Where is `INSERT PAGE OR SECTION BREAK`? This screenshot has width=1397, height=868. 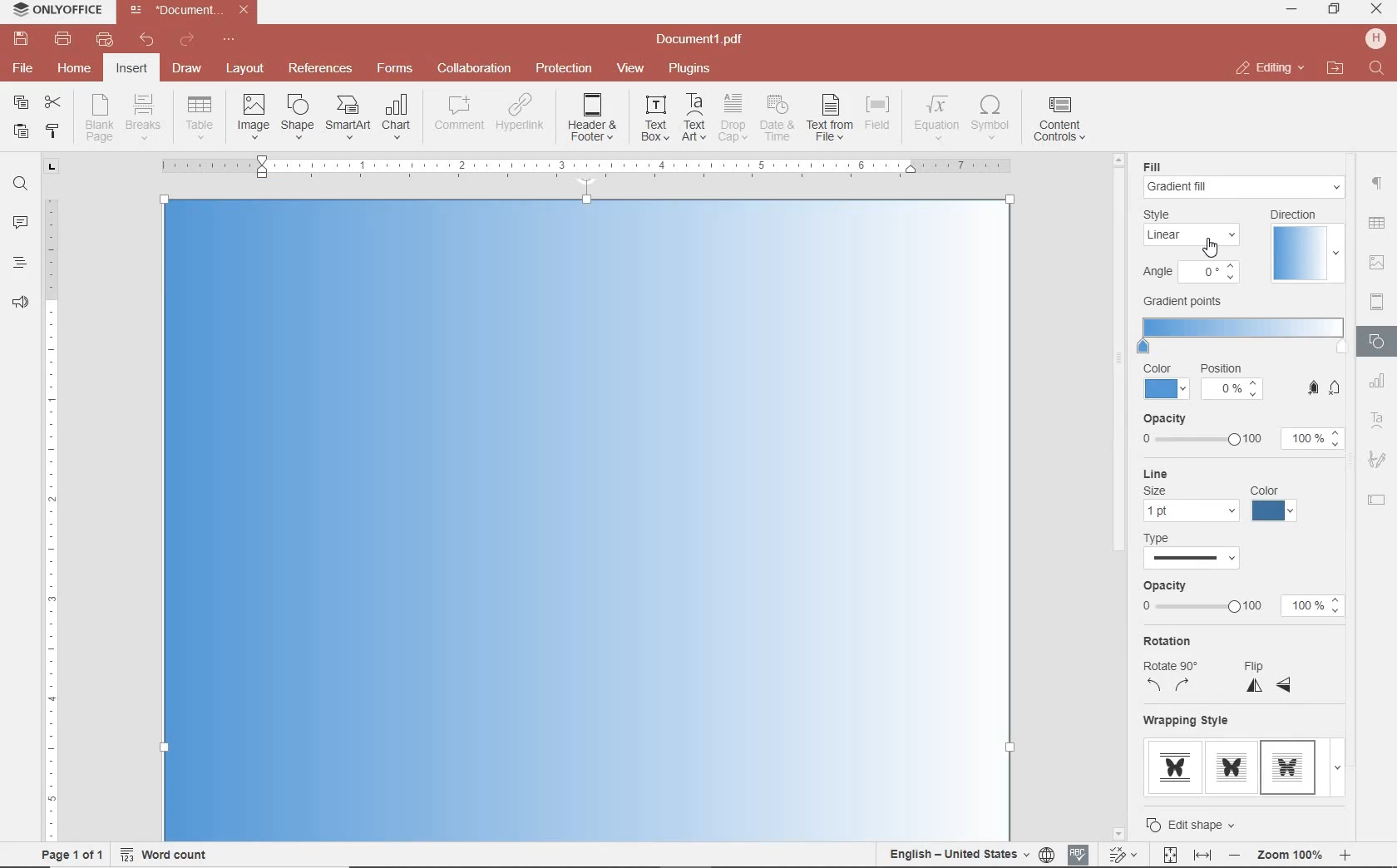 INSERT PAGE OR SECTION BREAK is located at coordinates (143, 118).